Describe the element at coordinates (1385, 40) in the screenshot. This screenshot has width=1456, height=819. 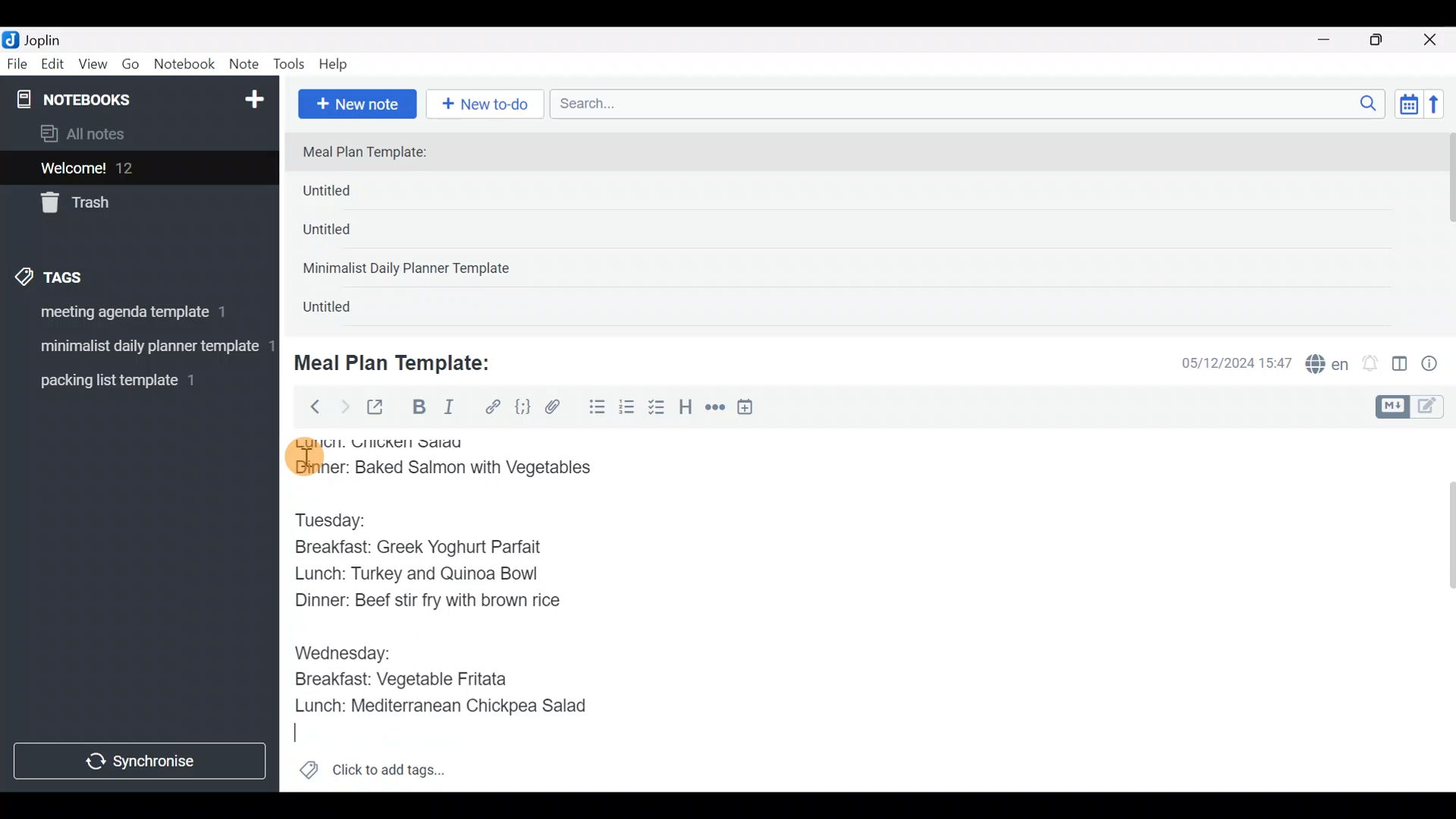
I see `Maximize` at that location.